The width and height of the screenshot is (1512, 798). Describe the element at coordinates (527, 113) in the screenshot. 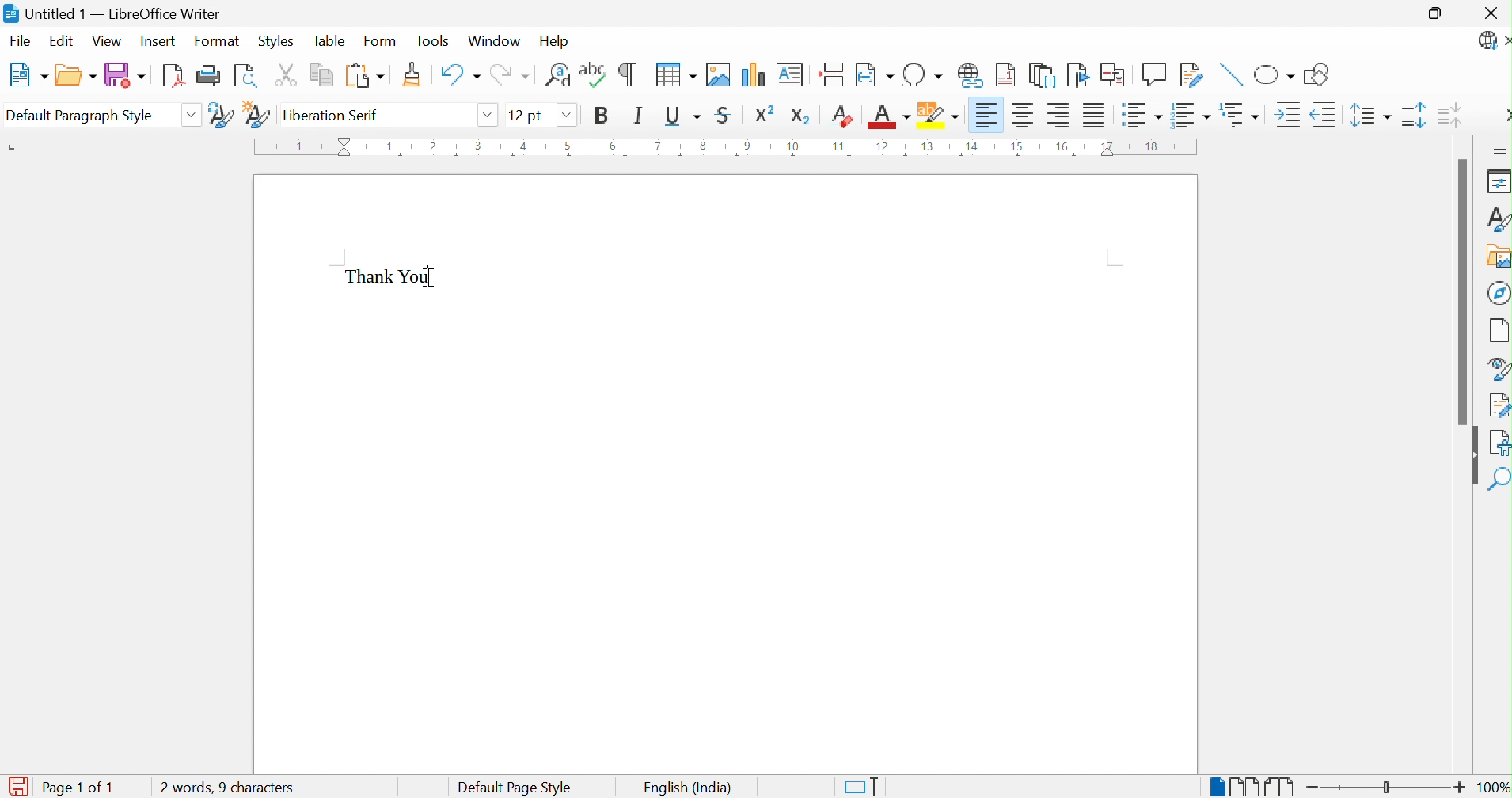

I see `12 pt` at that location.